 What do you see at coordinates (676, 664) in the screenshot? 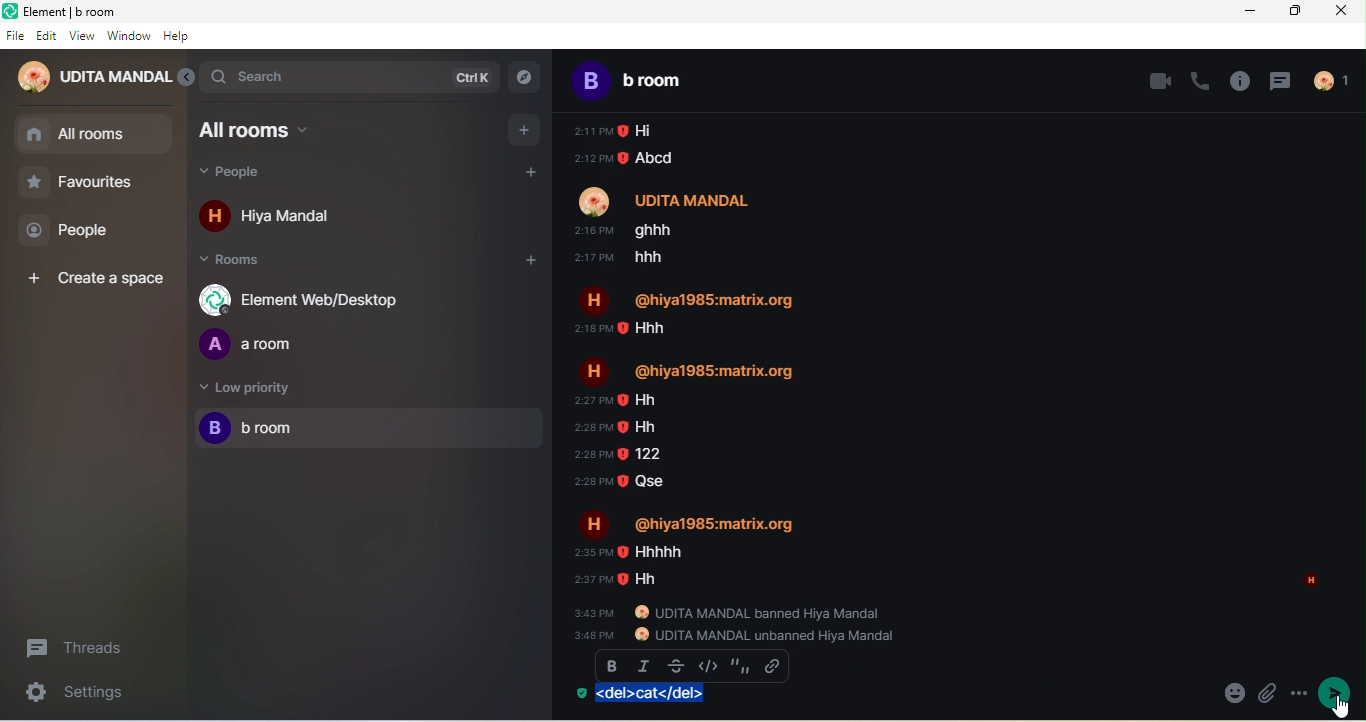
I see `strikethrough` at bounding box center [676, 664].